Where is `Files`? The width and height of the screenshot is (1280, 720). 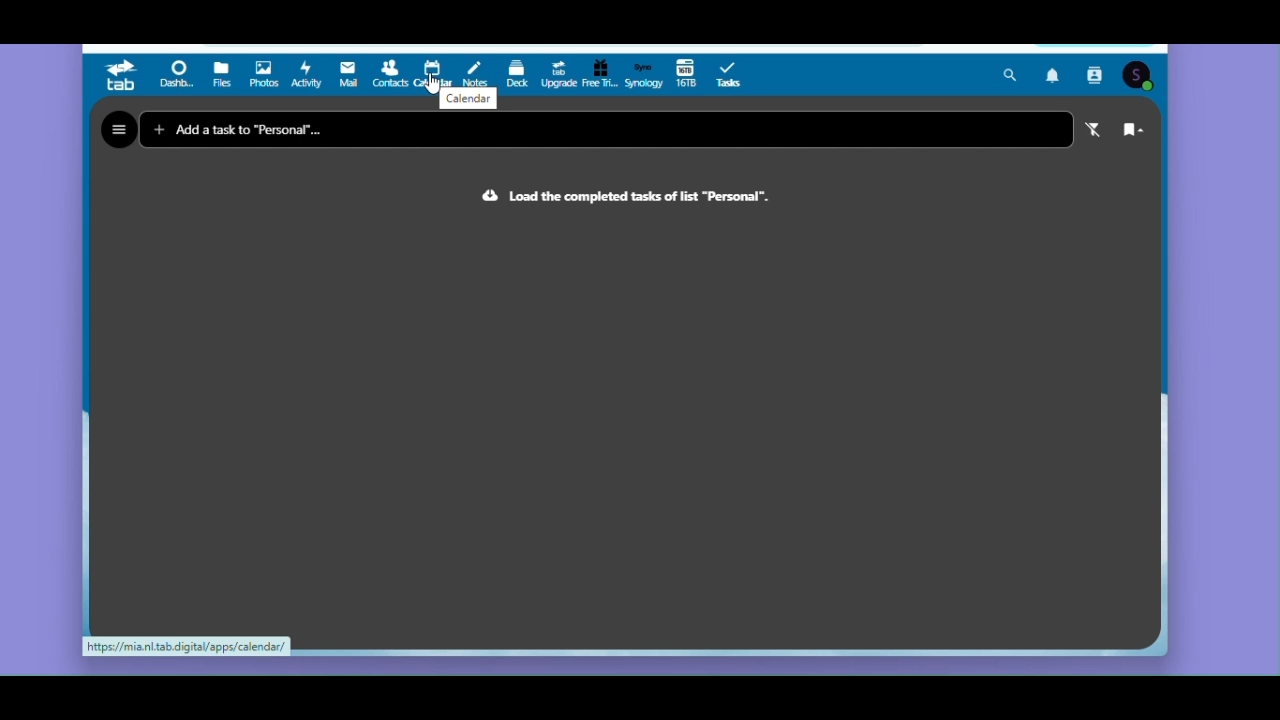
Files is located at coordinates (223, 76).